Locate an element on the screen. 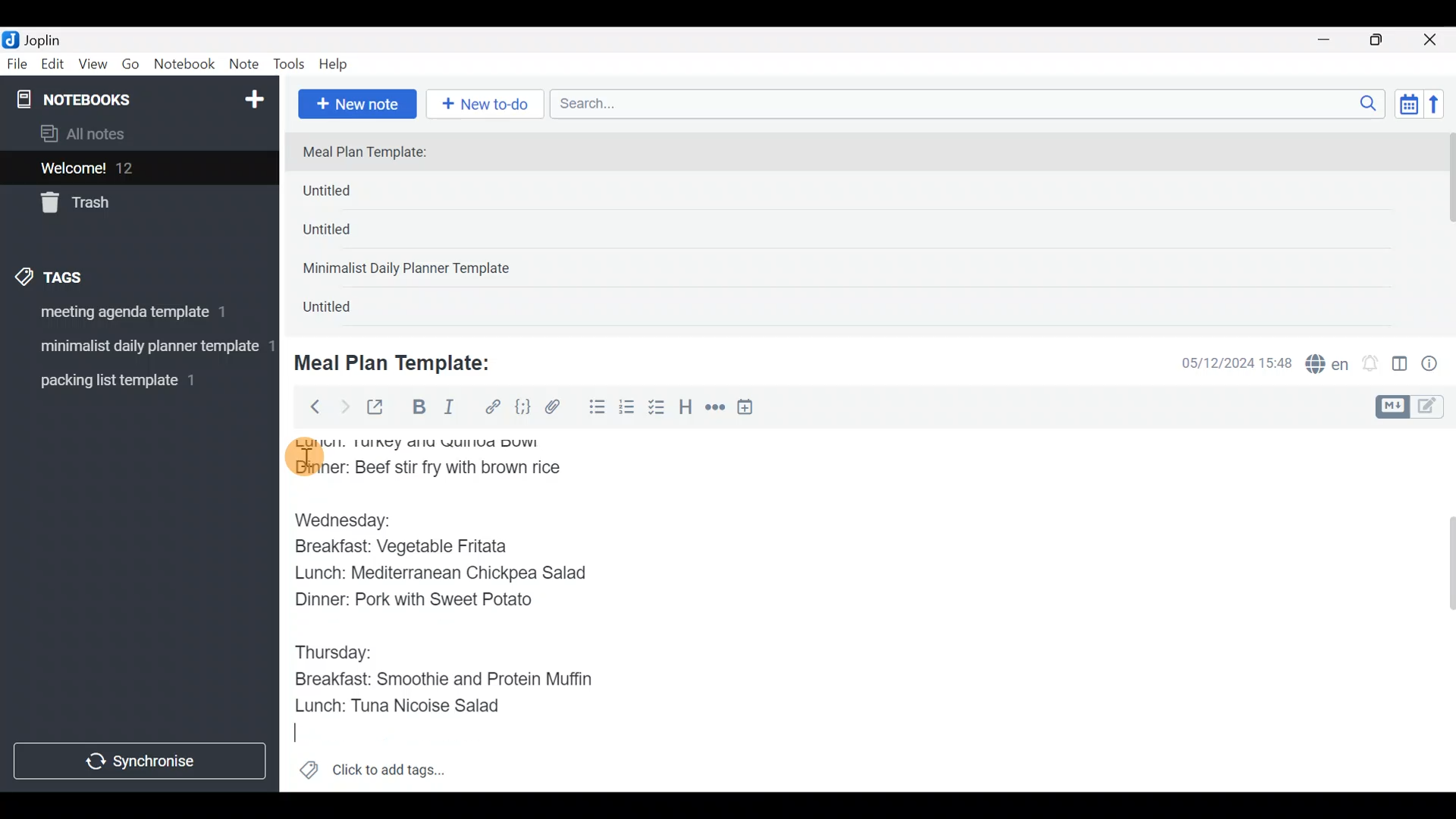 This screenshot has height=819, width=1456. Trash is located at coordinates (130, 204).